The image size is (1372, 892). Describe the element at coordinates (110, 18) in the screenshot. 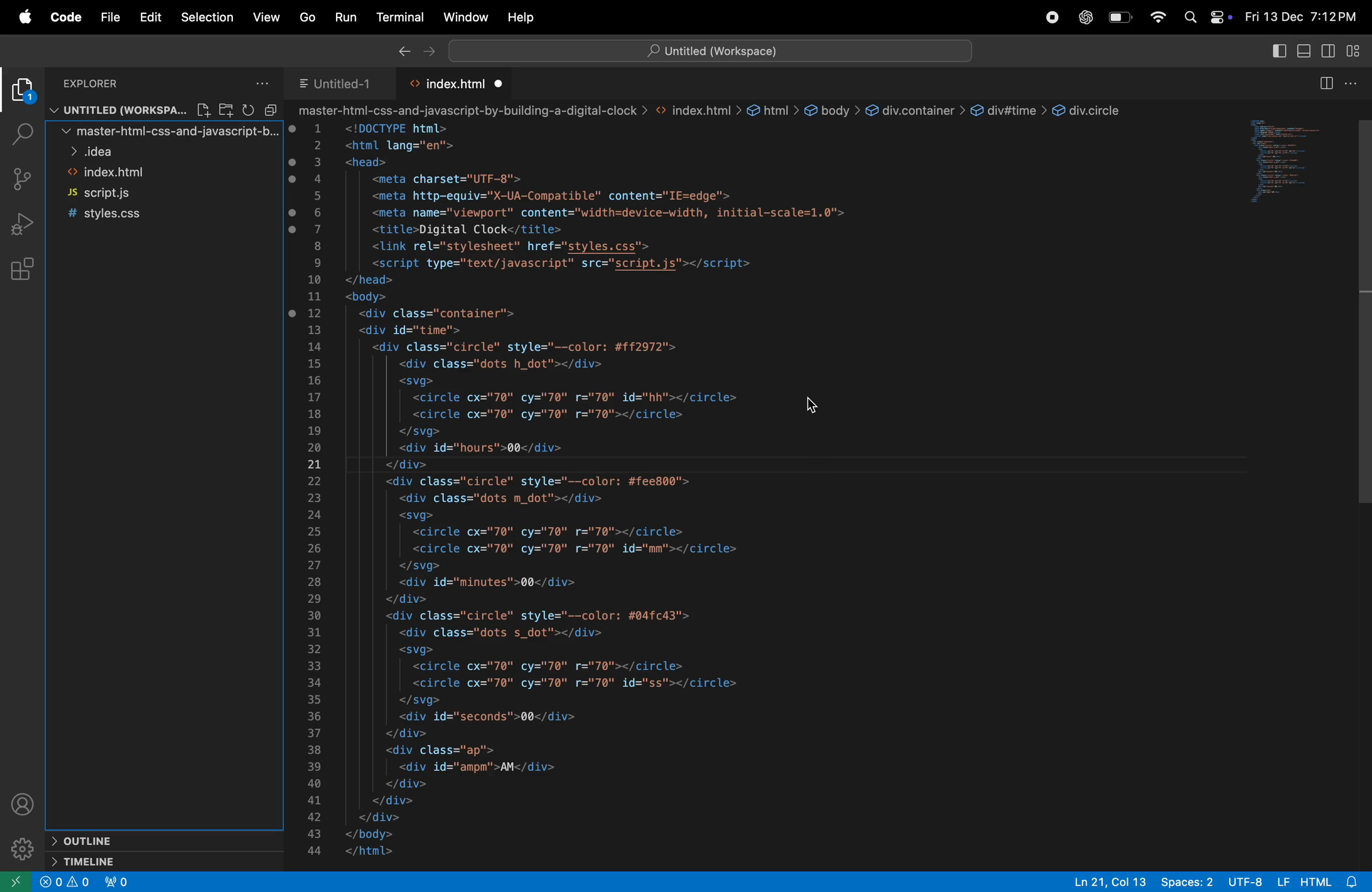

I see `file` at that location.